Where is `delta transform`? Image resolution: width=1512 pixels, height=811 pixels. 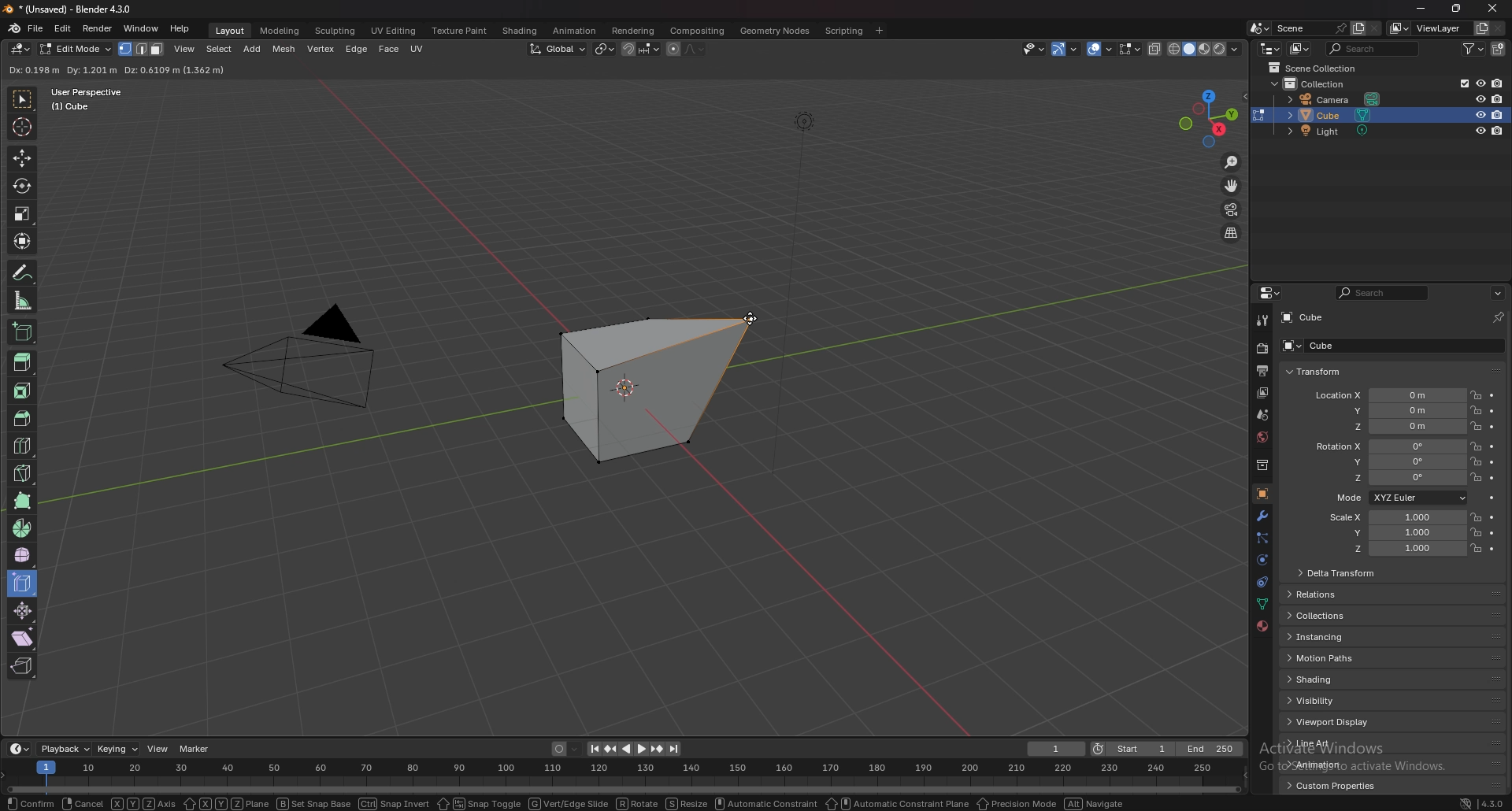
delta transform is located at coordinates (1338, 573).